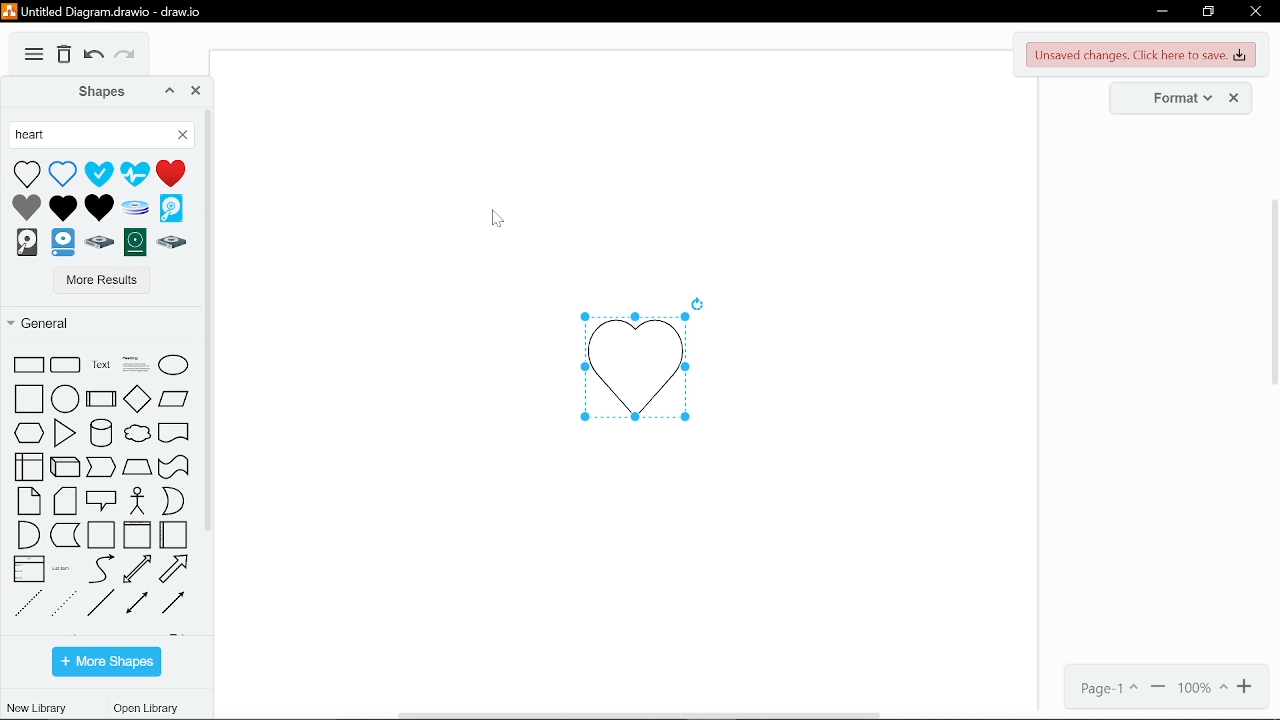 The image size is (1280, 720). I want to click on vertical scrollbar, so click(210, 319).